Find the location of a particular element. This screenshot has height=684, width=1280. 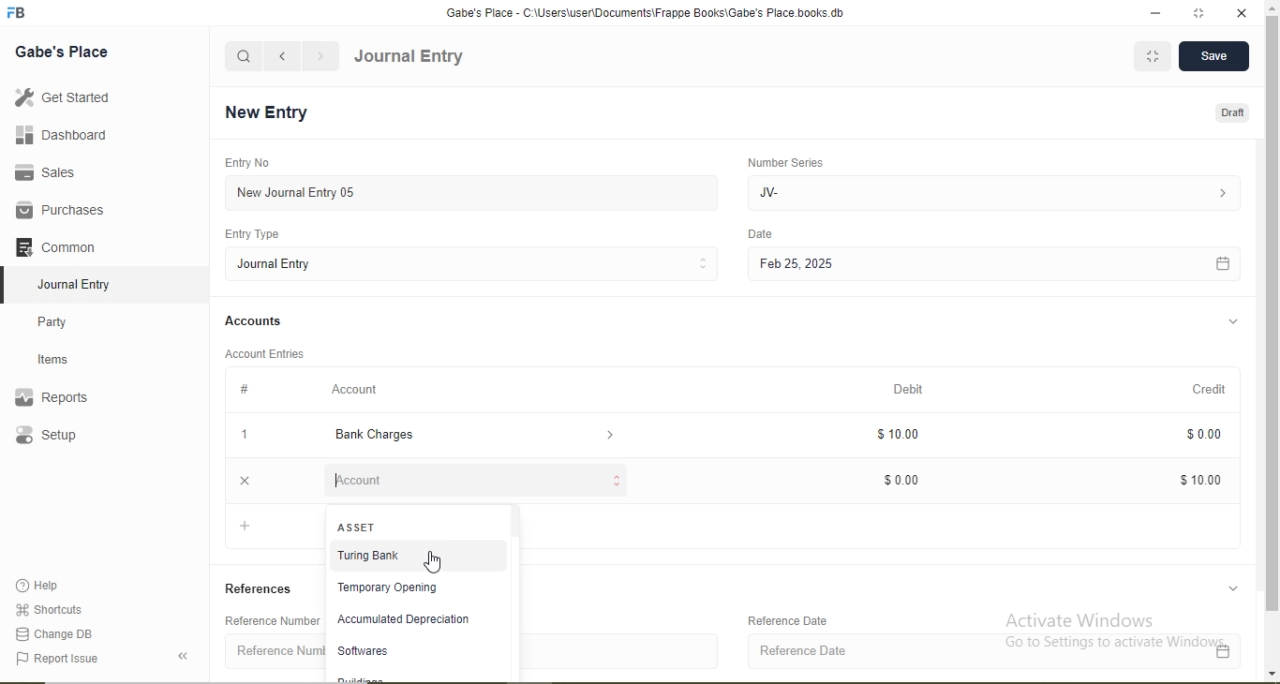

Debit is located at coordinates (922, 390).